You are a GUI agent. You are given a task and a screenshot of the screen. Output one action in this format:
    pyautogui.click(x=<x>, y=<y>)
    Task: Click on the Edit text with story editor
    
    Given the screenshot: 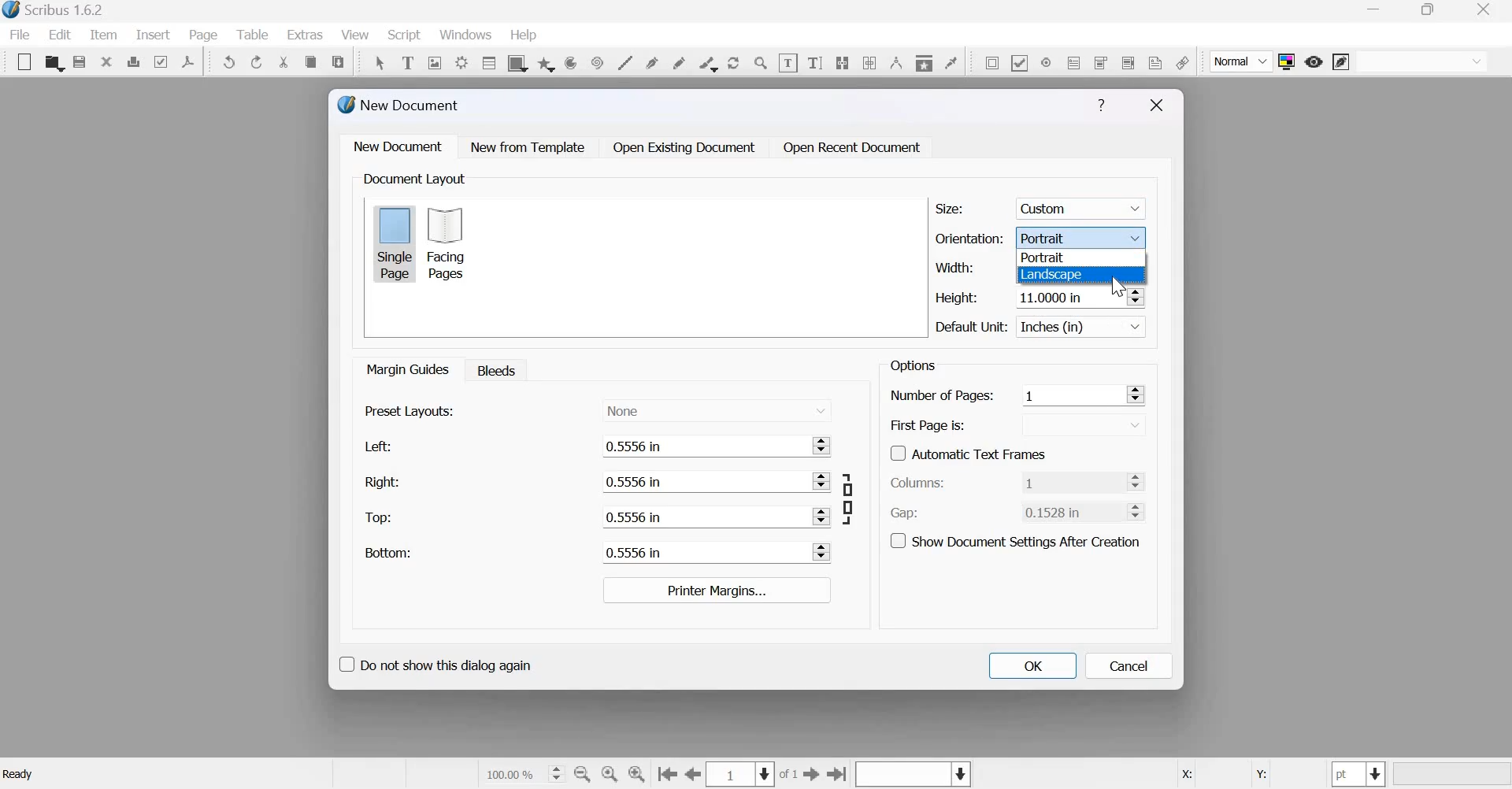 What is the action you would take?
    pyautogui.click(x=815, y=61)
    